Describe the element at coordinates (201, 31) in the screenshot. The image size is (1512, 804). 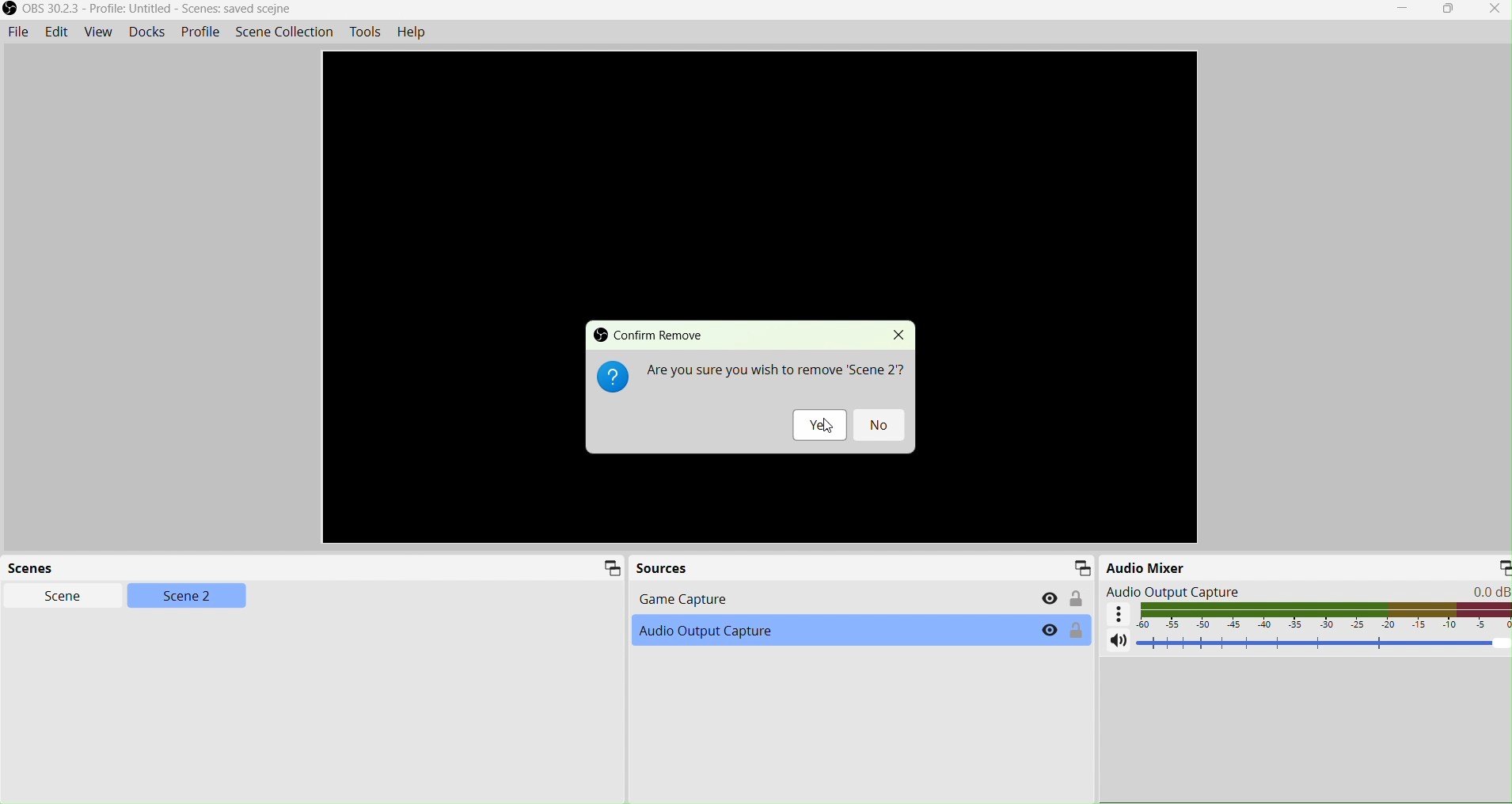
I see `Profile` at that location.